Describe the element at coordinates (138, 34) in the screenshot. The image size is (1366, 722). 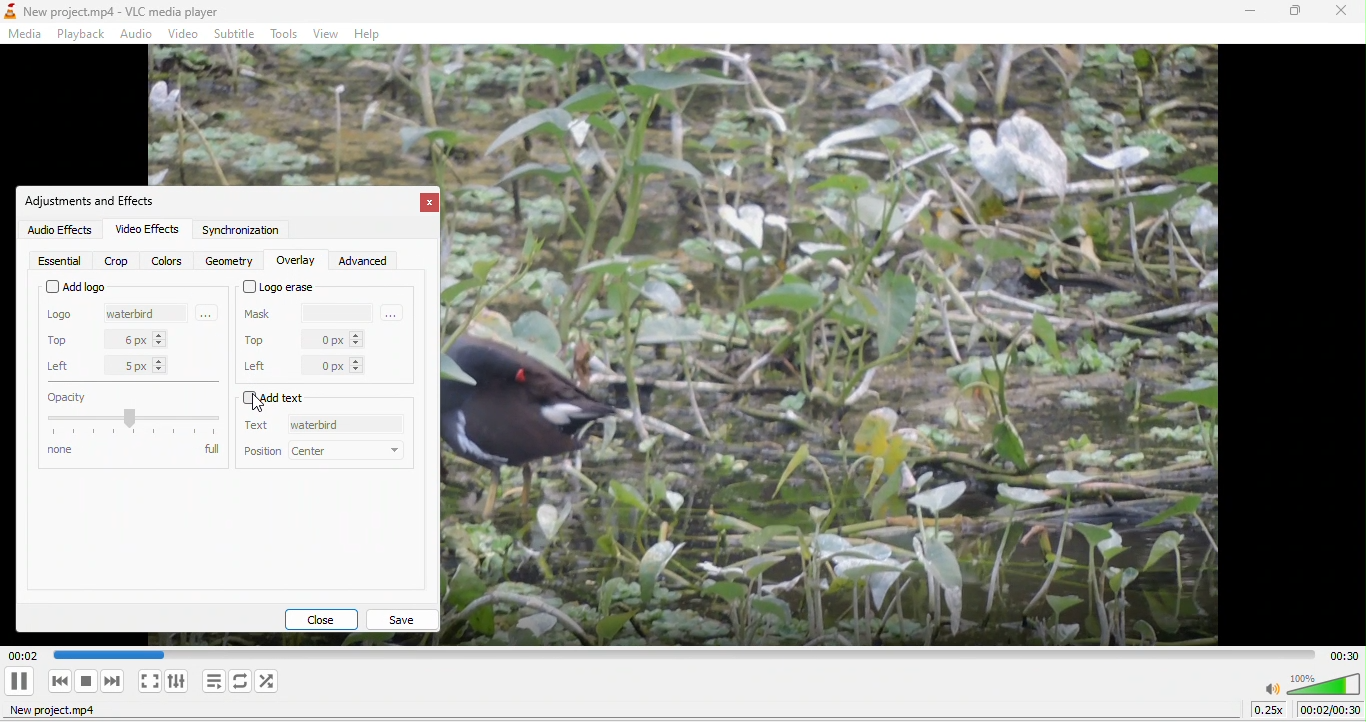
I see `audio` at that location.